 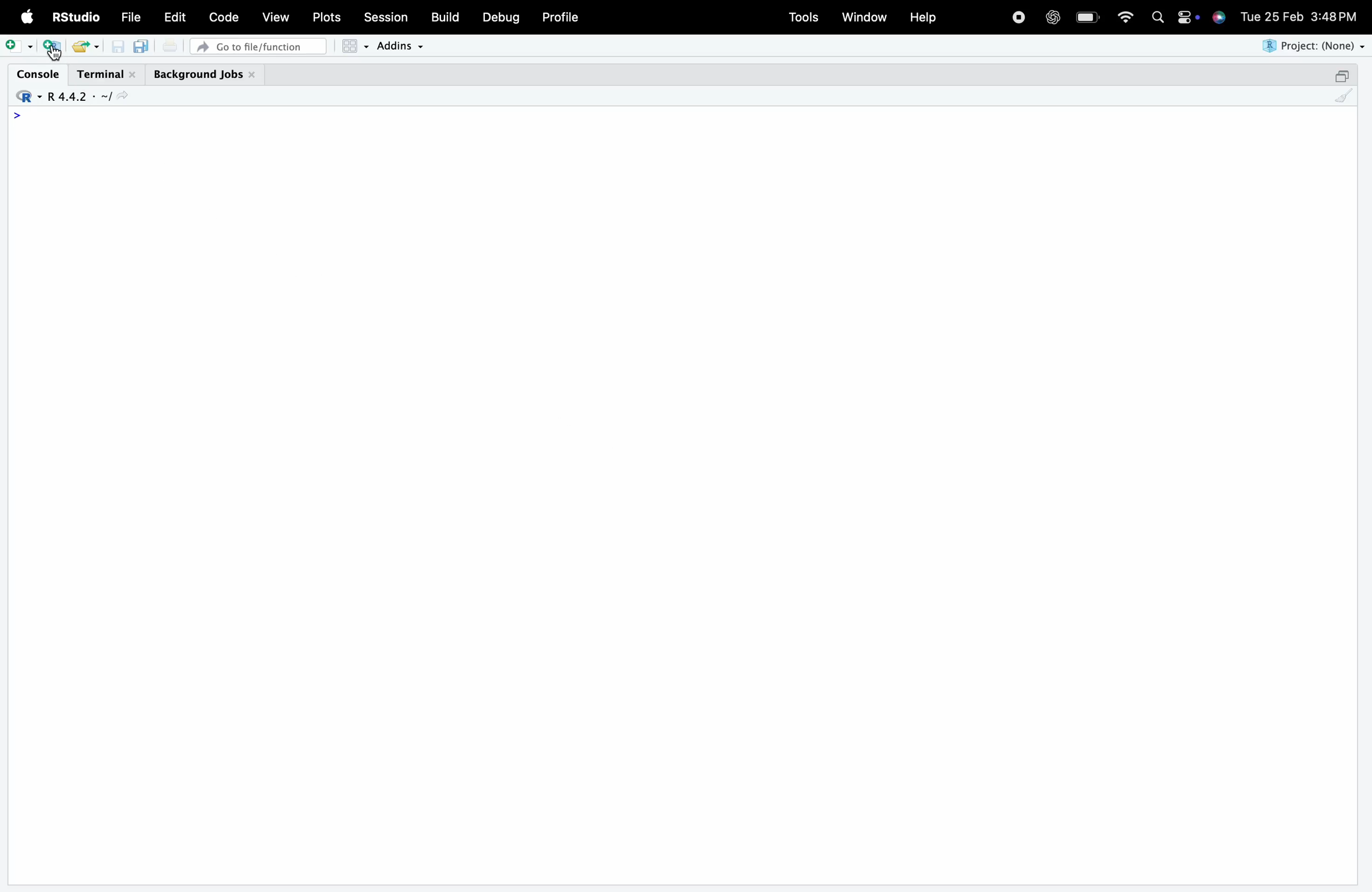 I want to click on siri, so click(x=1219, y=16).